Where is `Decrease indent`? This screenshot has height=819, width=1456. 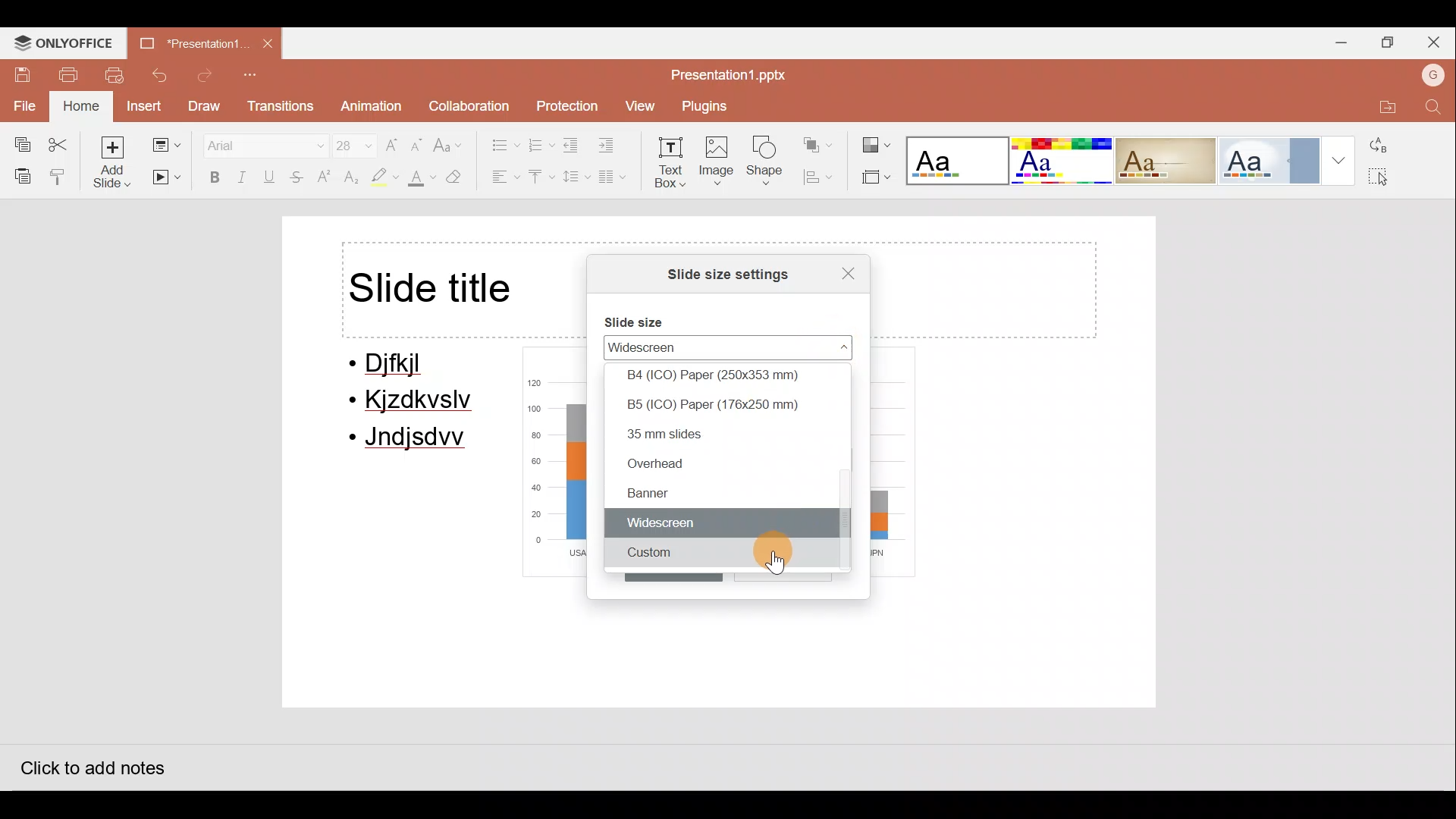 Decrease indent is located at coordinates (573, 145).